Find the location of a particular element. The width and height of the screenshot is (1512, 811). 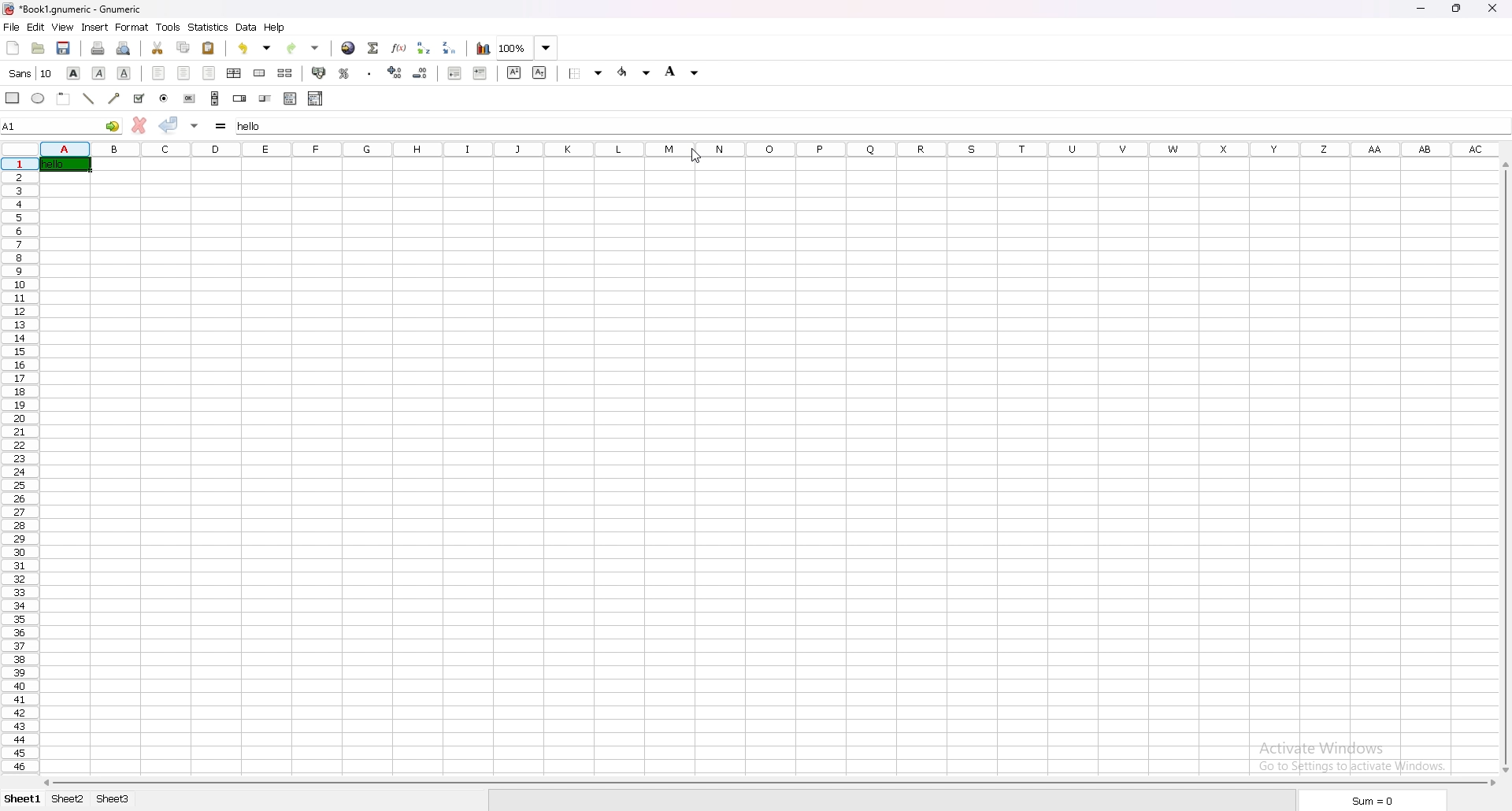

sort descending is located at coordinates (450, 48).